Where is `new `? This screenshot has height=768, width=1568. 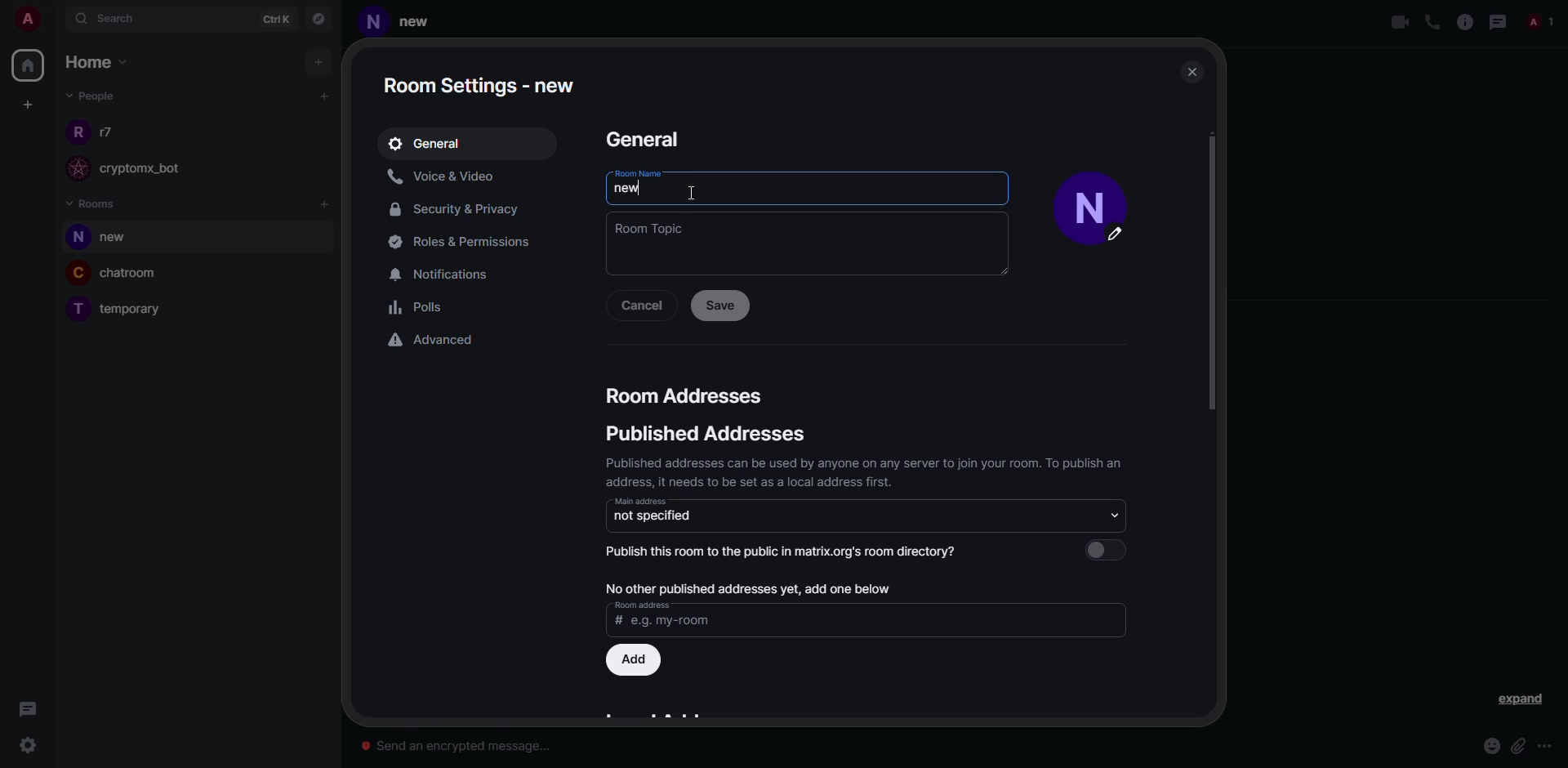
new  is located at coordinates (423, 20).